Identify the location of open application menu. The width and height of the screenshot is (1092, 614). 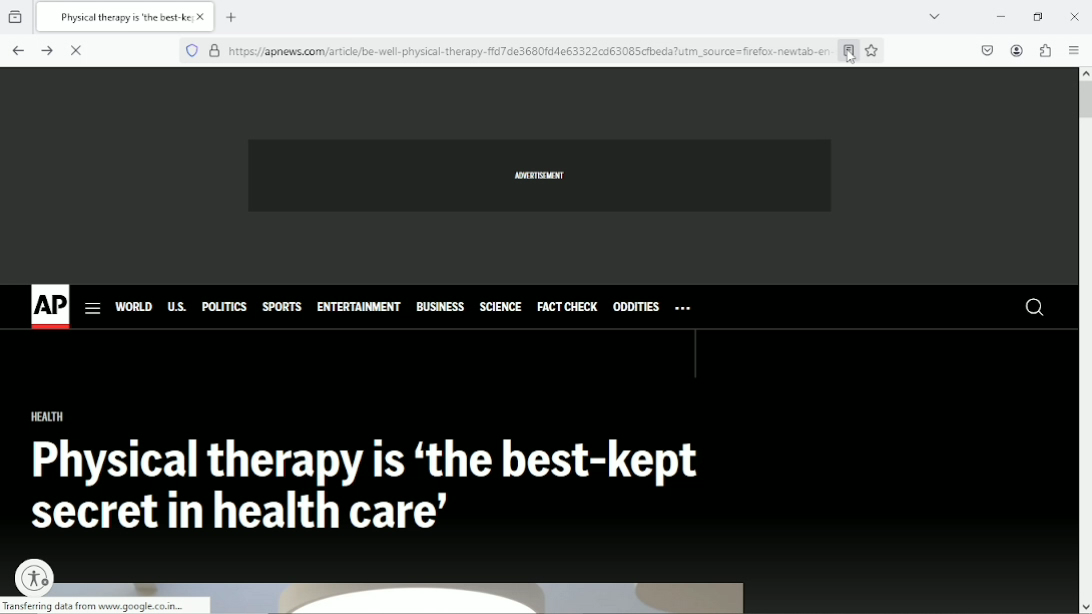
(1074, 49).